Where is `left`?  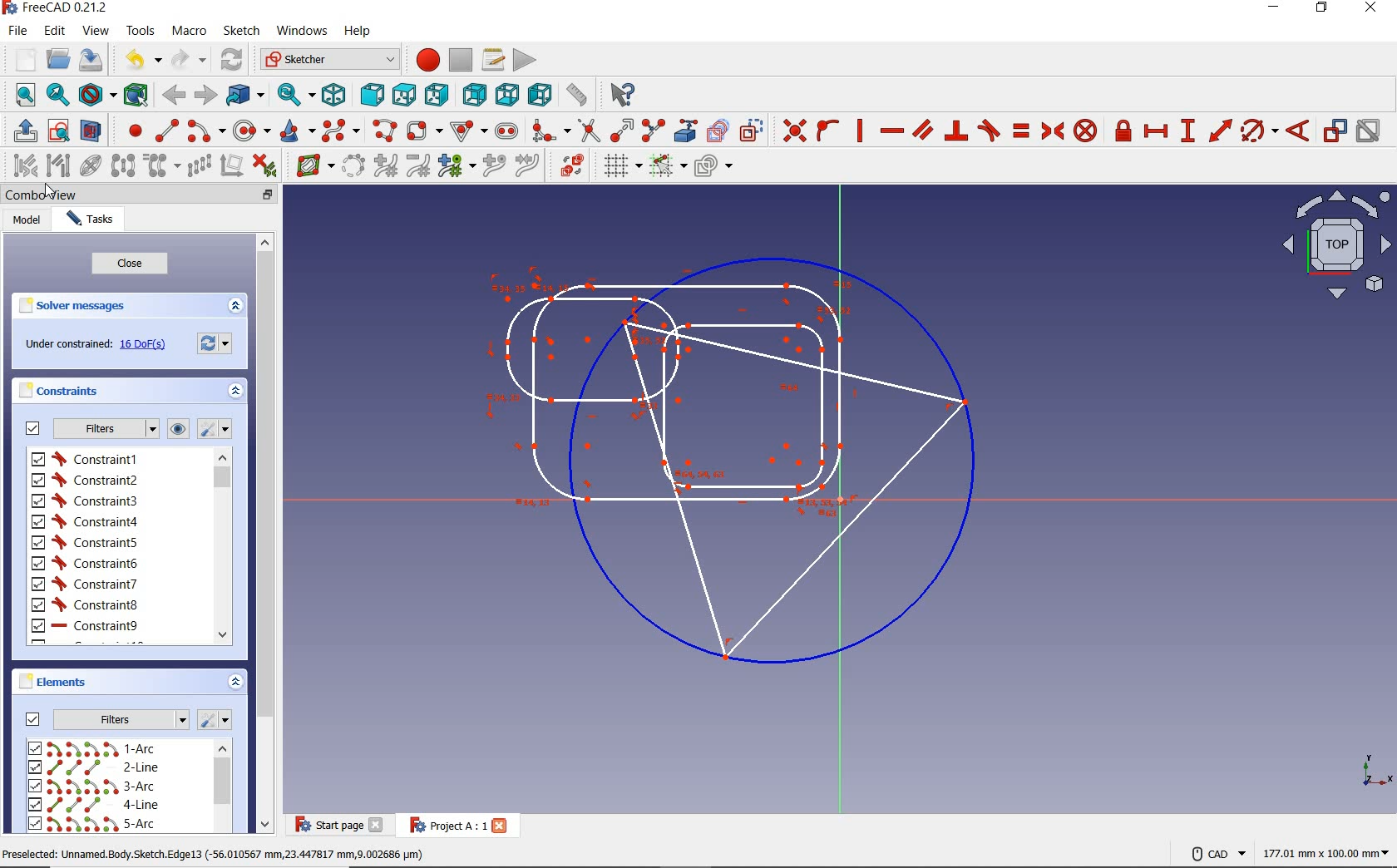
left is located at coordinates (539, 94).